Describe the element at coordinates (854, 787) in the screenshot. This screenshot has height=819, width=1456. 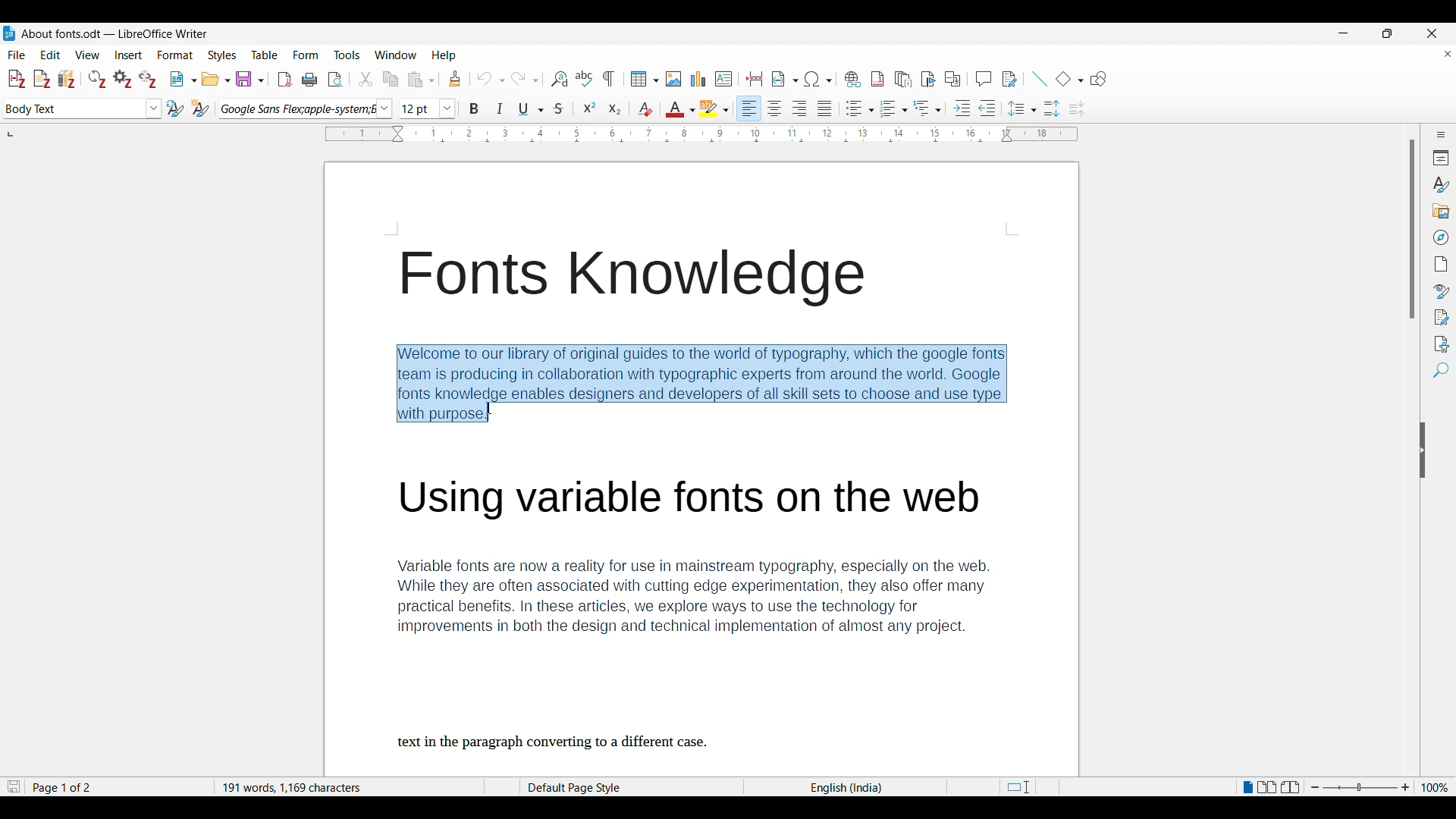
I see `language` at that location.